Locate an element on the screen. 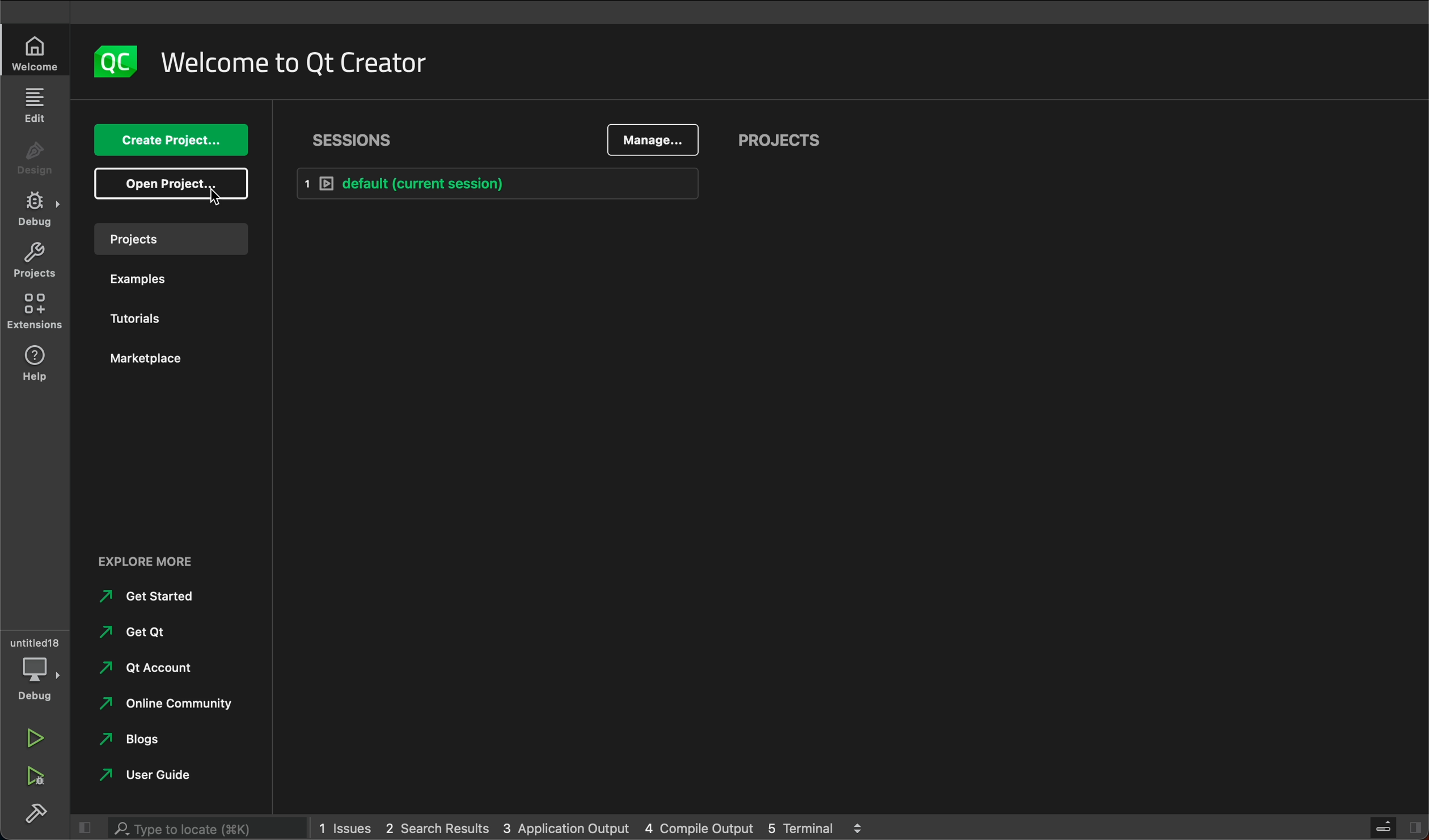 The width and height of the screenshot is (1429, 840). 5 Terminal is located at coordinates (804, 828).